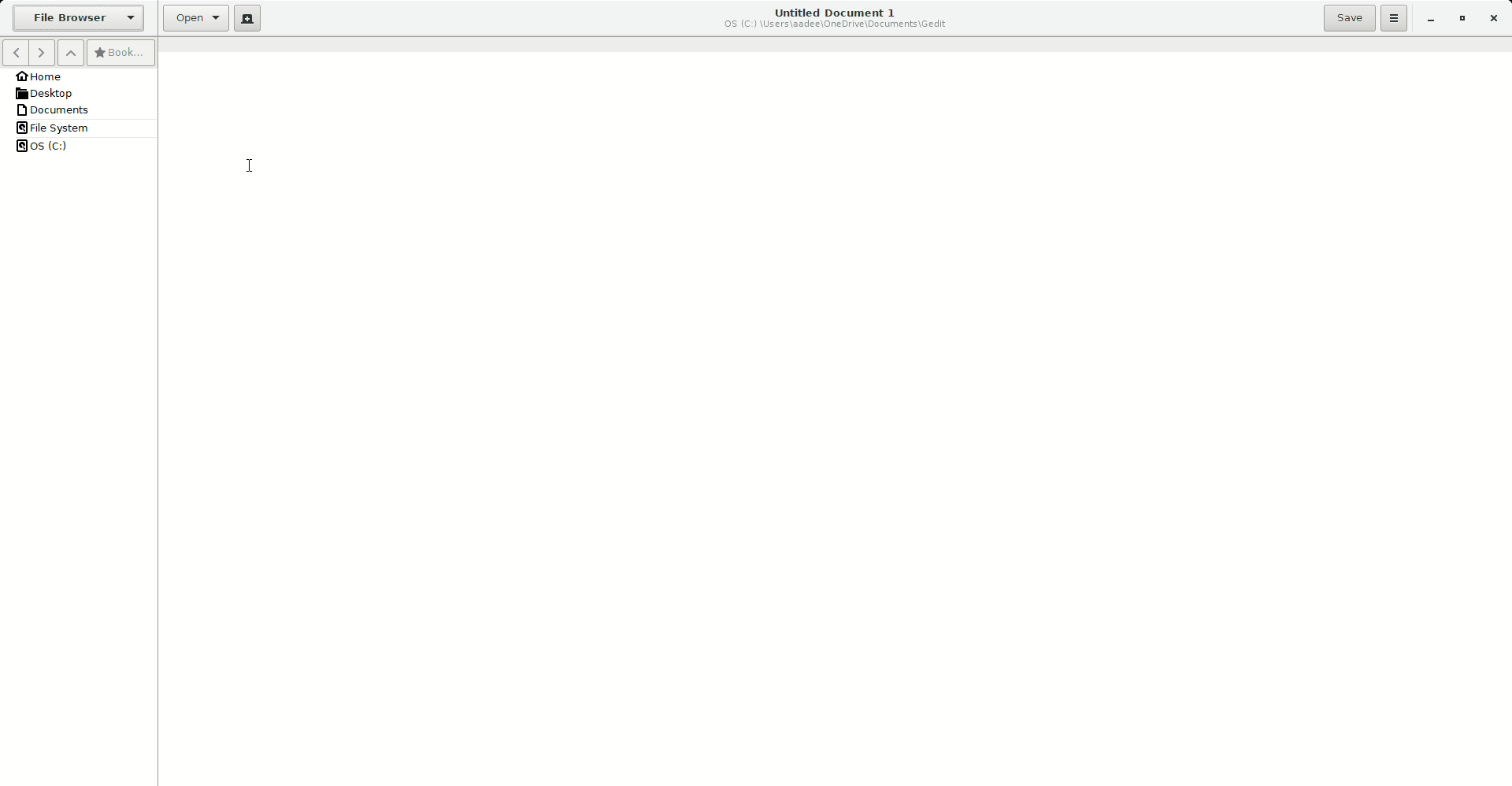 This screenshot has width=1512, height=786. Describe the element at coordinates (70, 53) in the screenshot. I see `Move Up` at that location.